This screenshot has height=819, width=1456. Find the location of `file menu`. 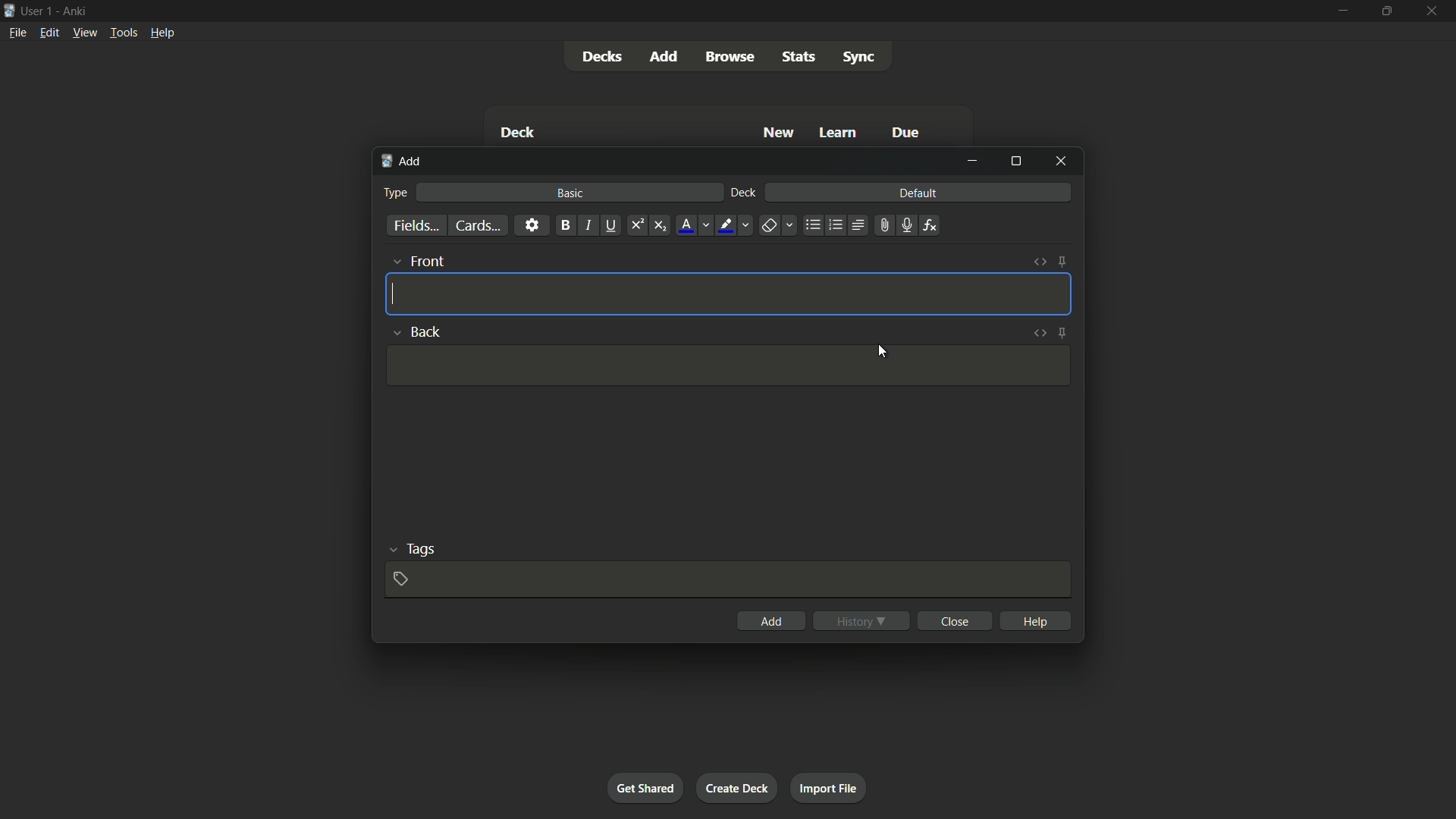

file menu is located at coordinates (18, 33).